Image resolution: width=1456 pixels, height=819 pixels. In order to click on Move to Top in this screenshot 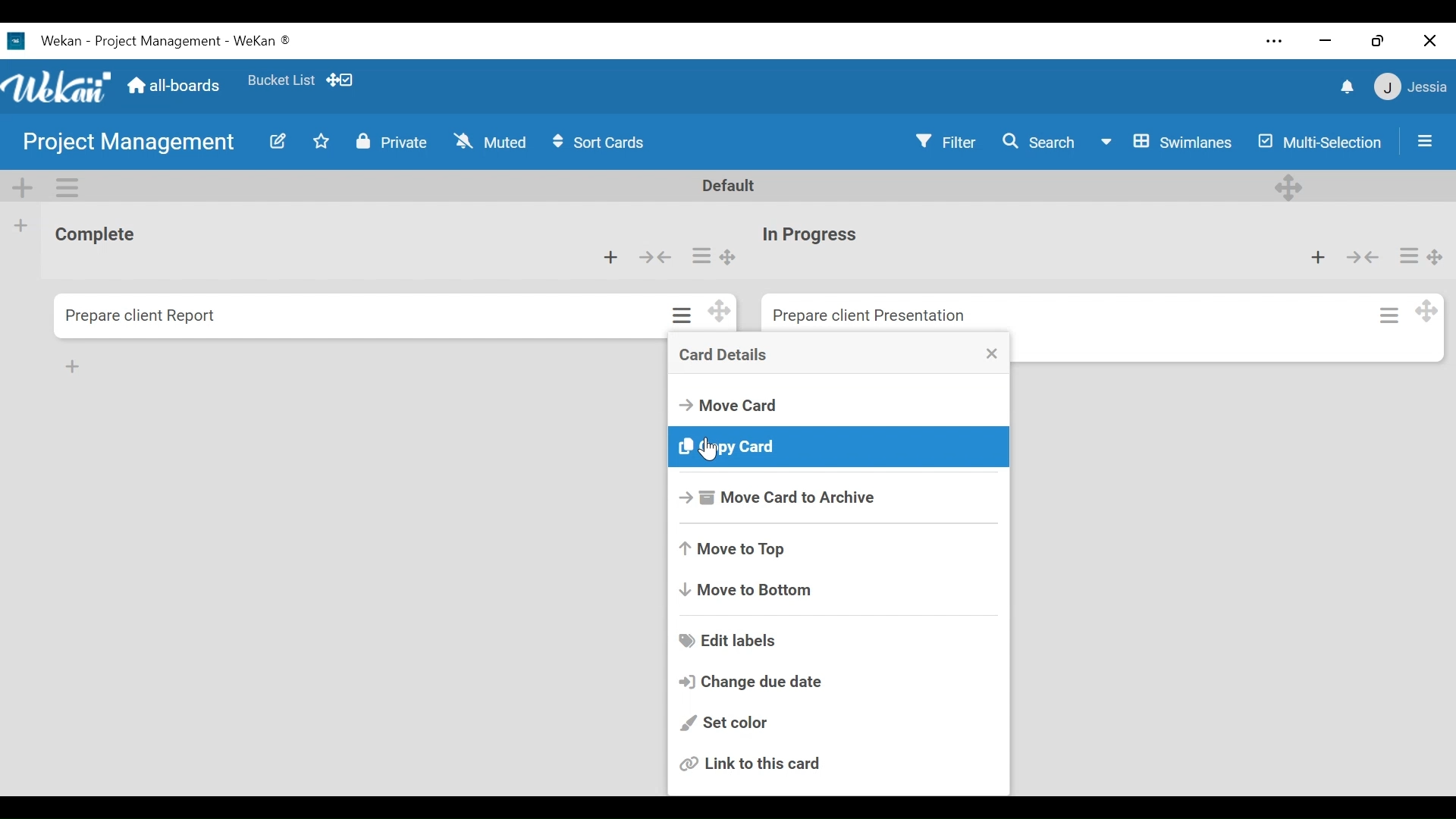, I will do `click(735, 548)`.